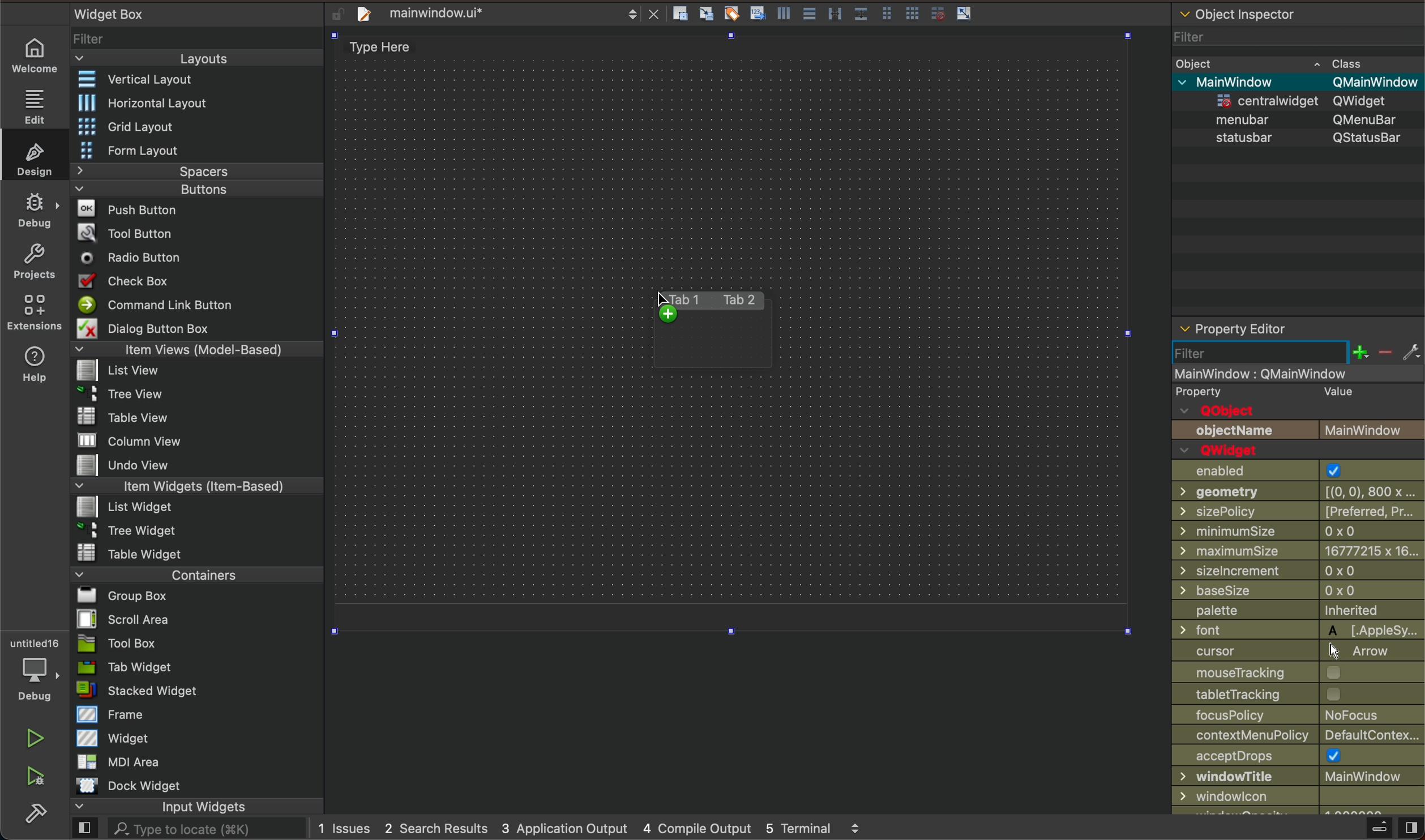  What do you see at coordinates (119, 209) in the screenshot?
I see `Push Button` at bounding box center [119, 209].